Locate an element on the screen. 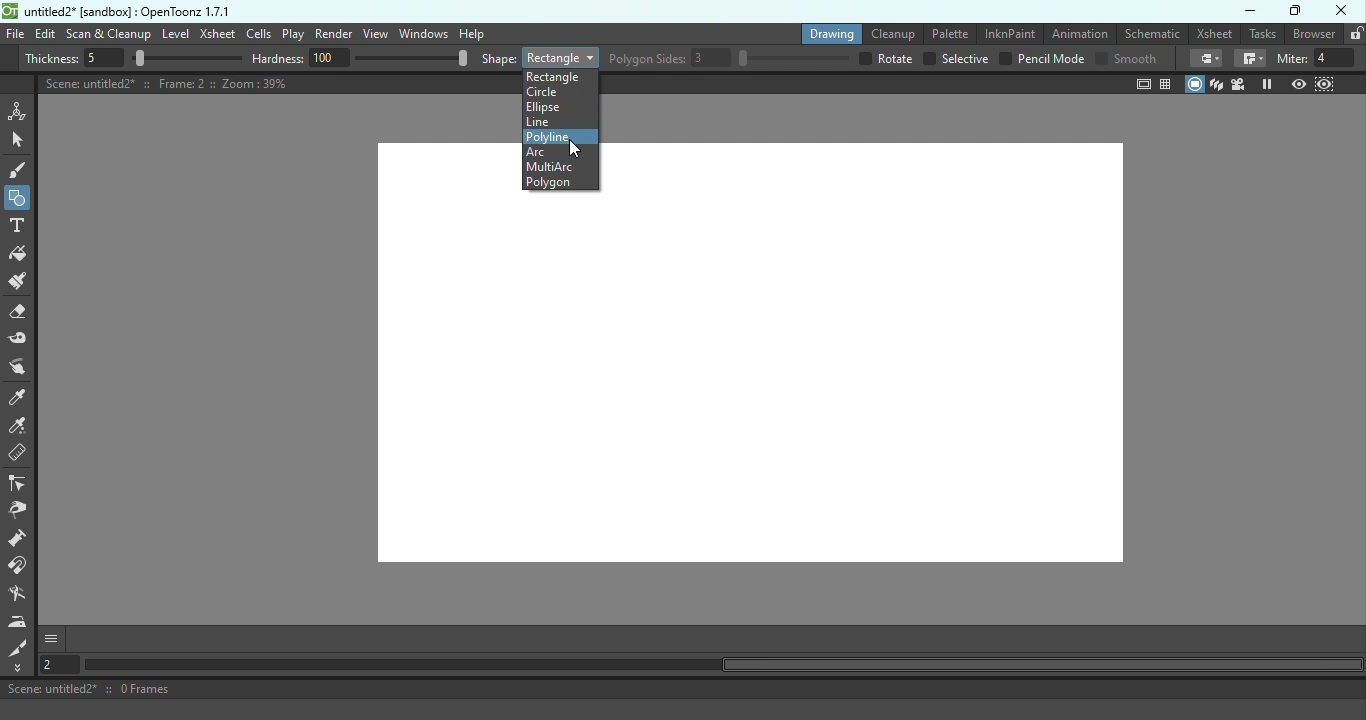 The height and width of the screenshot is (720, 1366). Polygon is located at coordinates (548, 182).